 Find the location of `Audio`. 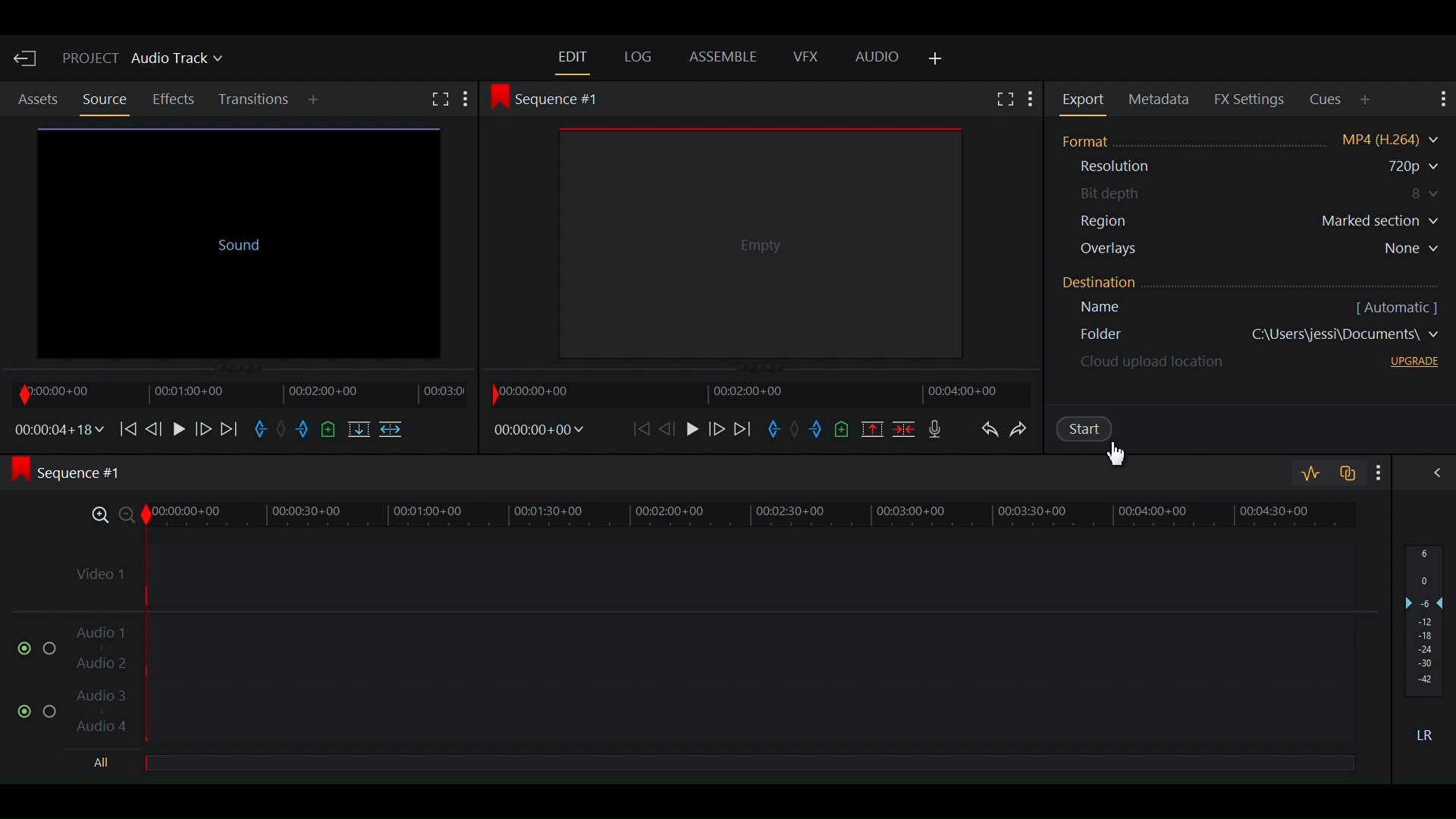

Audio is located at coordinates (877, 58).